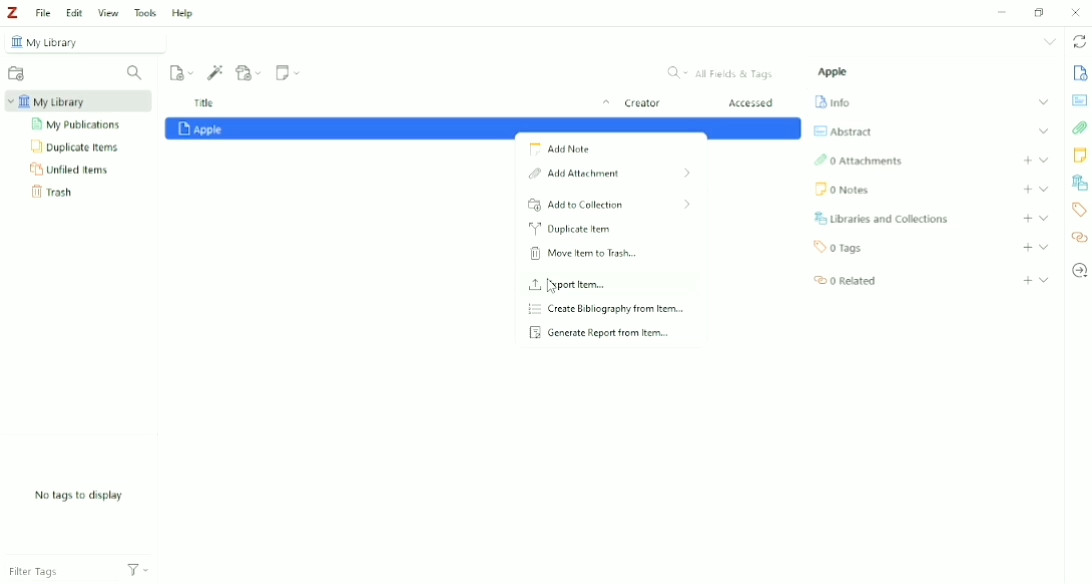  I want to click on Duplicate Item, so click(570, 230).